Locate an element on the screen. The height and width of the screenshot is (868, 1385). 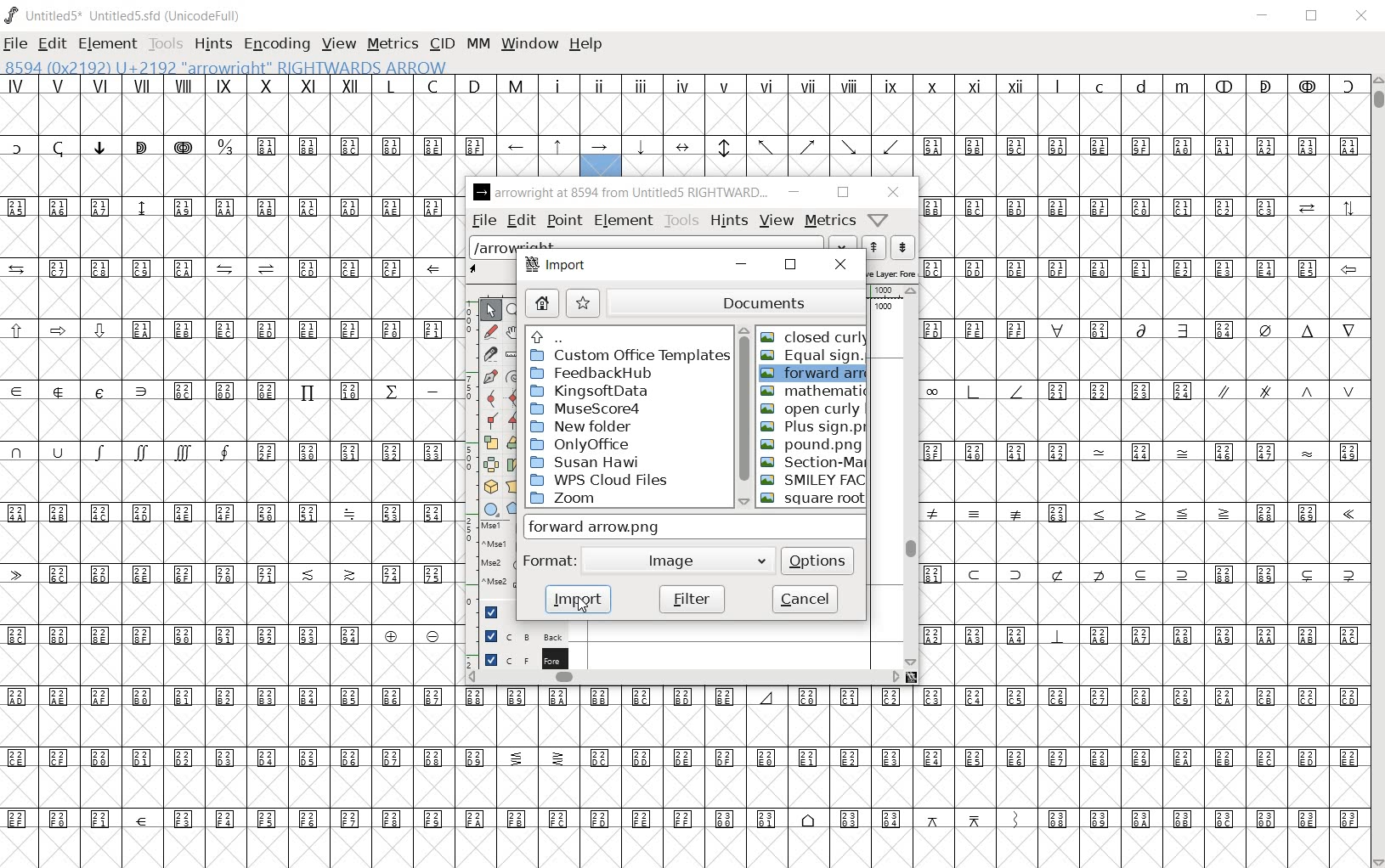
FeedbackHub is located at coordinates (607, 374).